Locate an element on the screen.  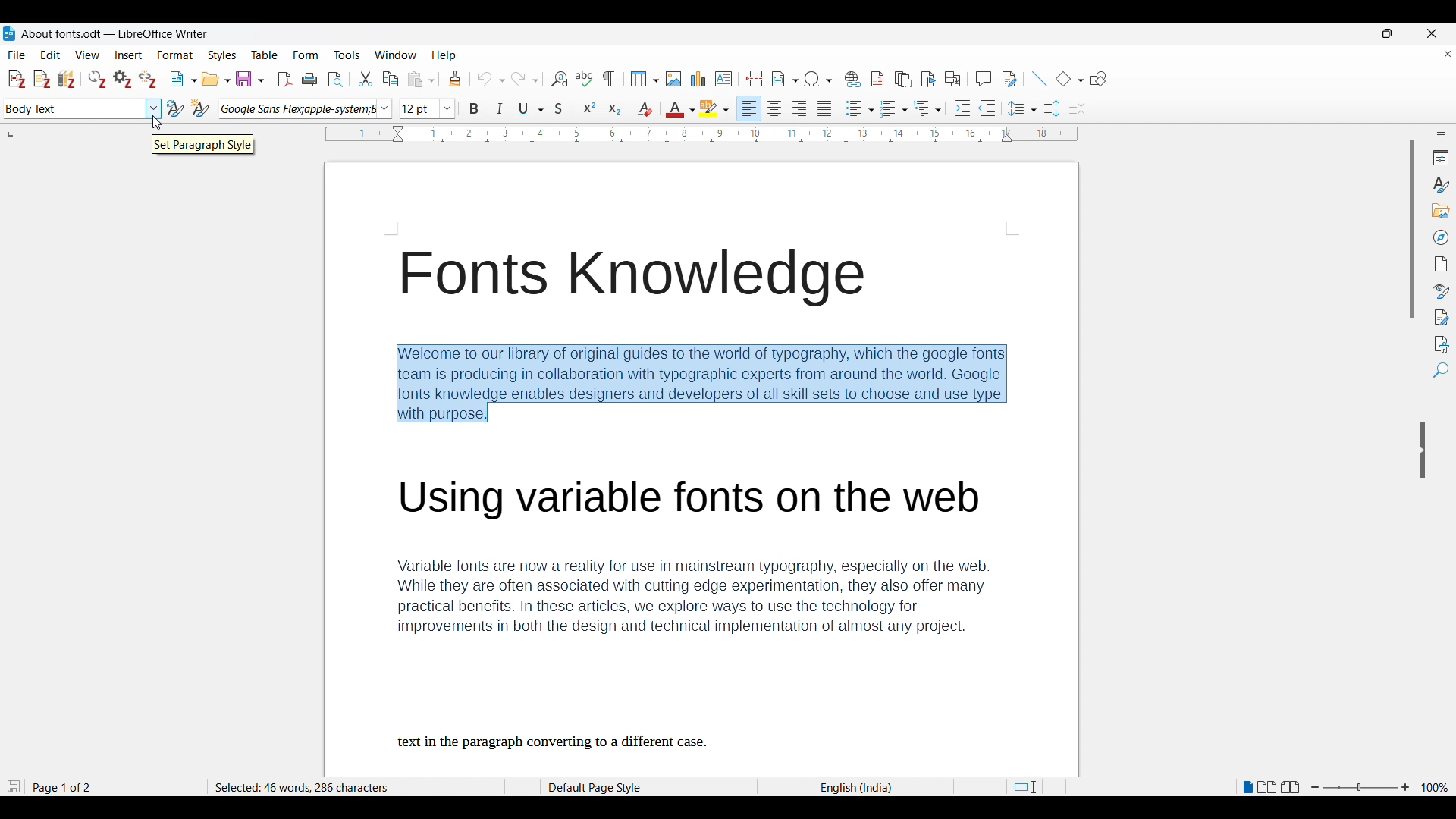
Set line spacing is located at coordinates (1022, 108).